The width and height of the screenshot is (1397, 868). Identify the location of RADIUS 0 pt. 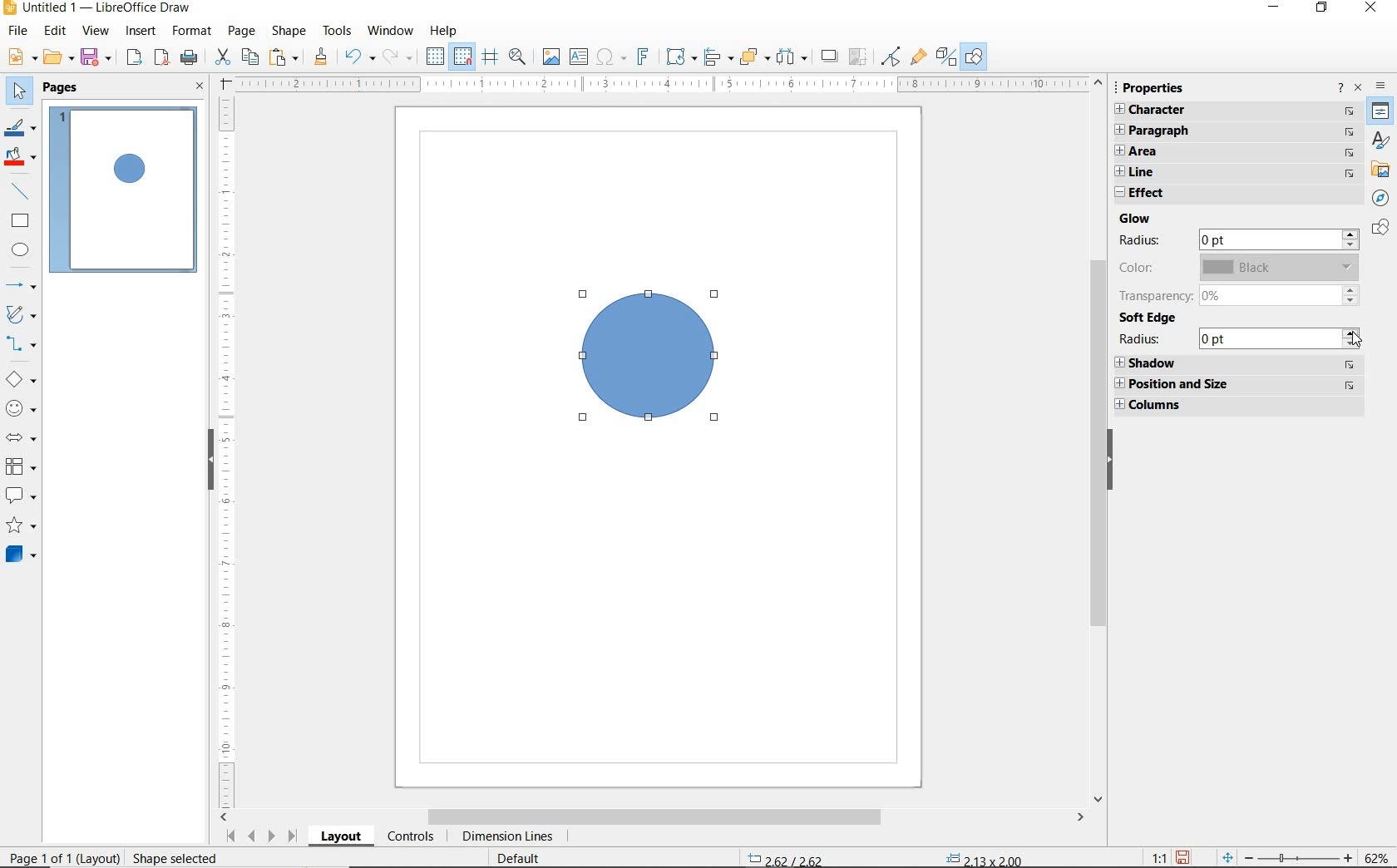
(1226, 338).